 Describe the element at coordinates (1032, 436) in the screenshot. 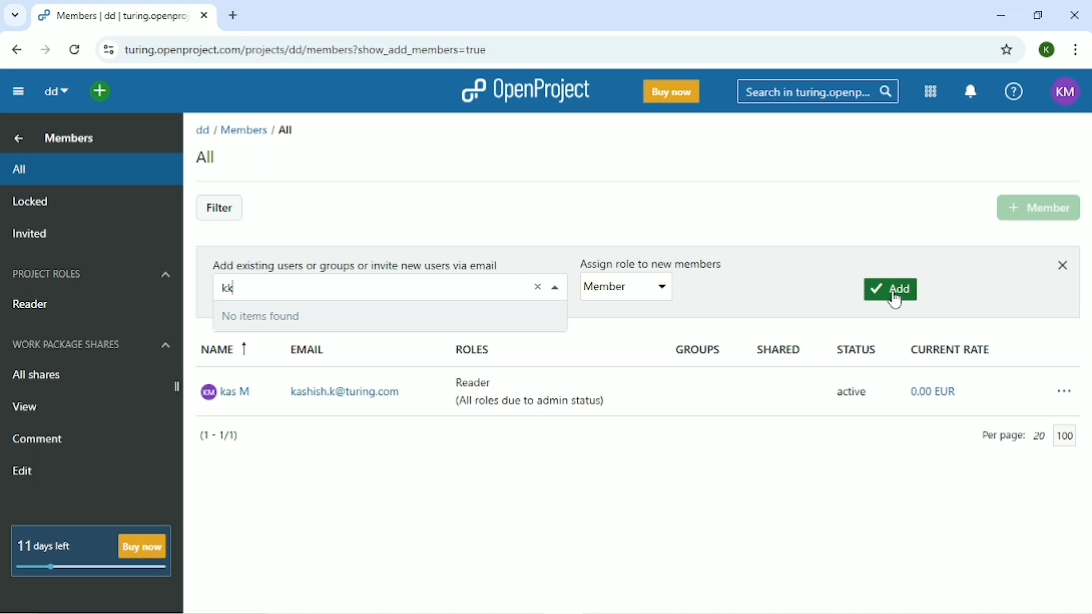

I see `Per page 20/100` at that location.